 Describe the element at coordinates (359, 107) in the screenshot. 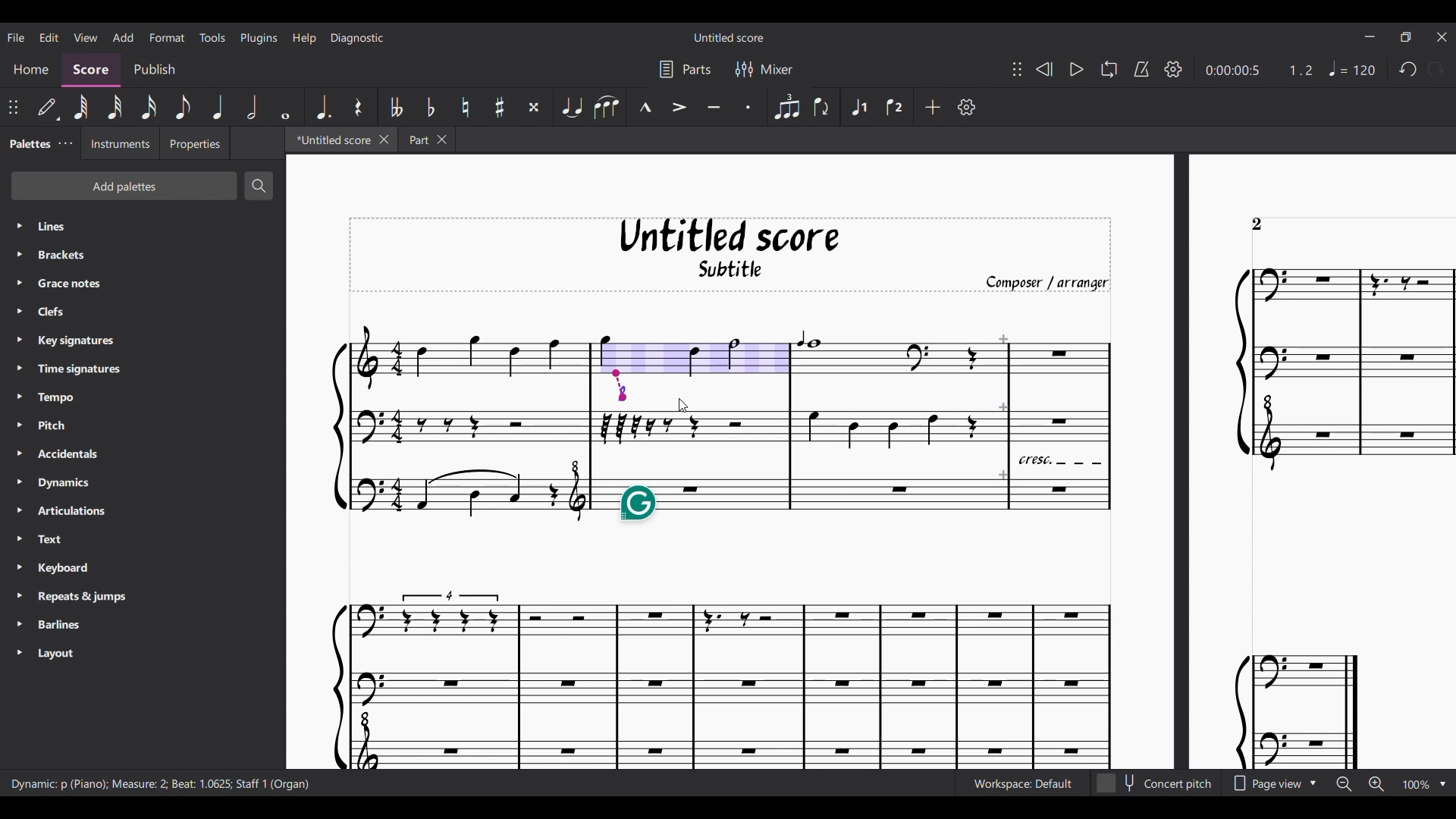

I see `Rest` at that location.